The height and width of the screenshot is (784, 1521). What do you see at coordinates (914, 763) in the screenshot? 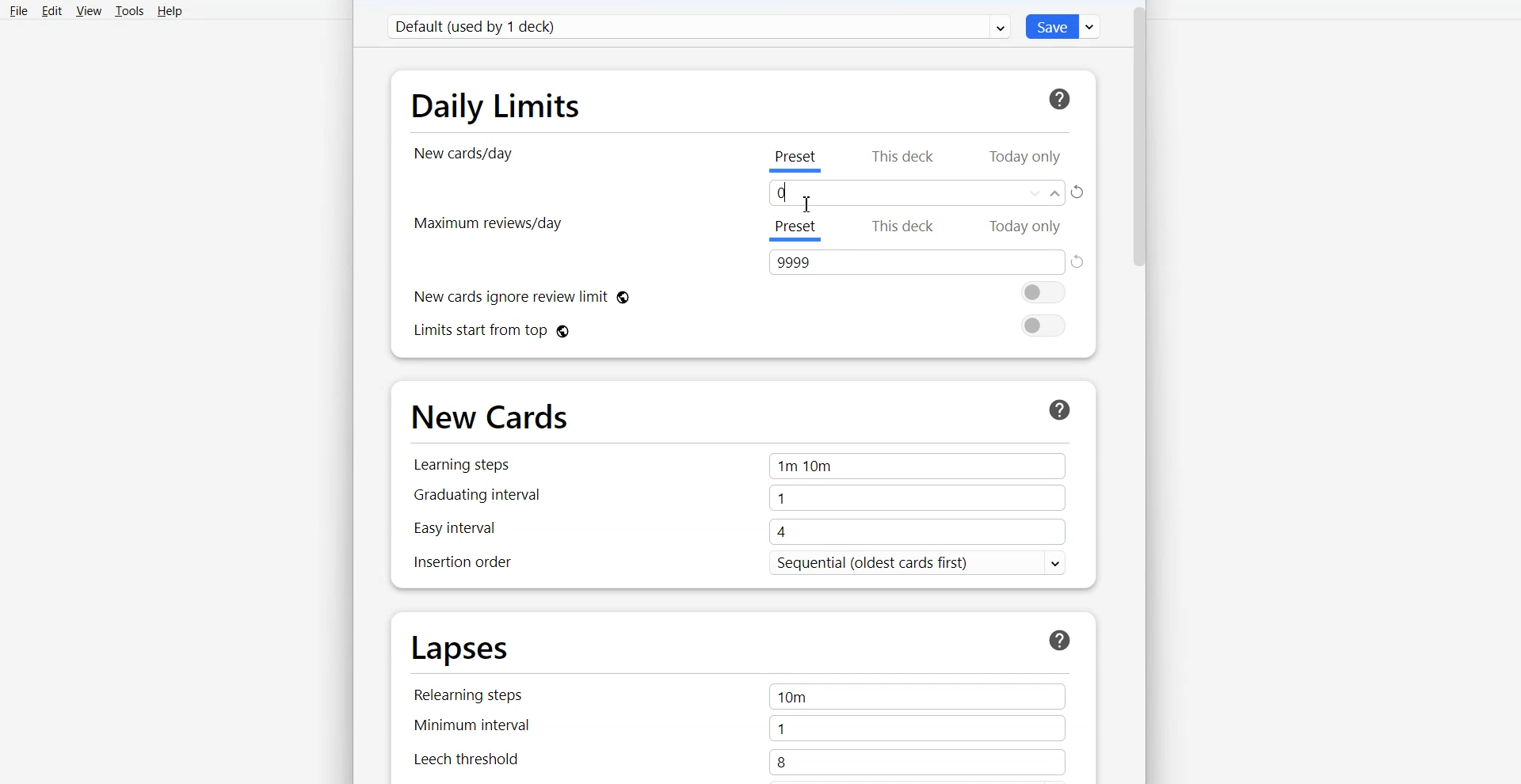
I see `8` at bounding box center [914, 763].